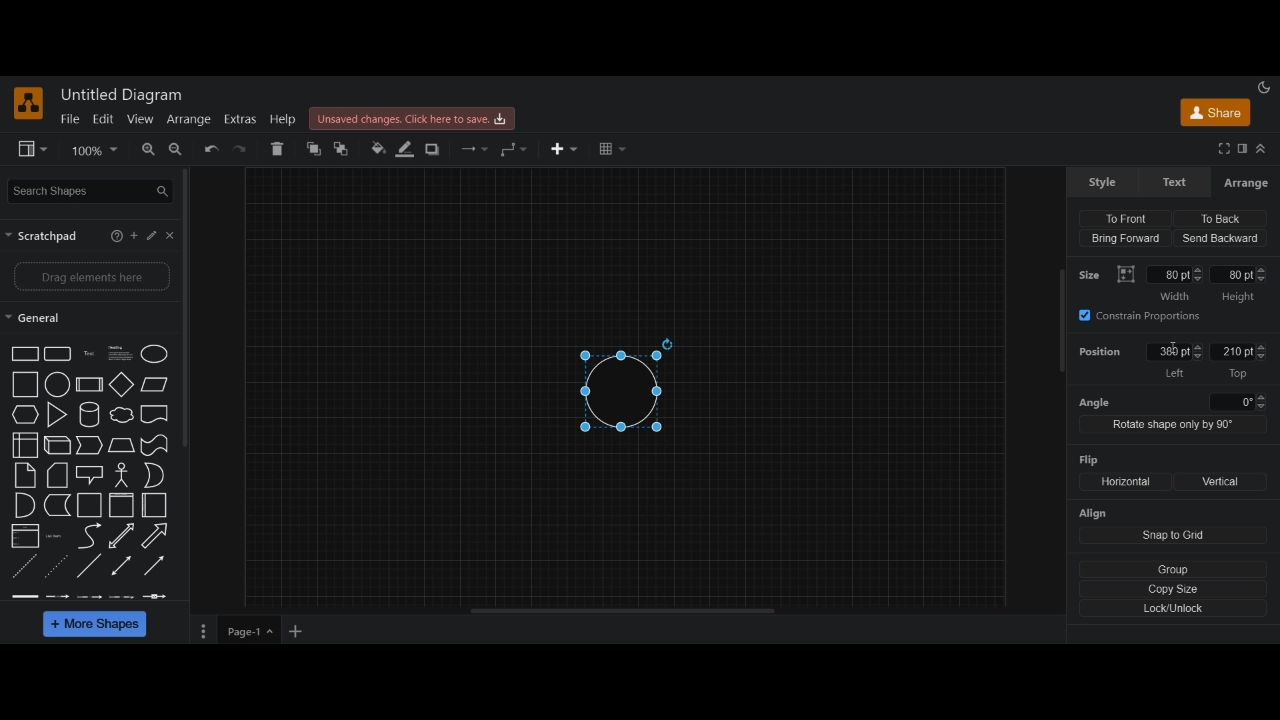 This screenshot has height=720, width=1280. Describe the element at coordinates (57, 536) in the screenshot. I see `text` at that location.